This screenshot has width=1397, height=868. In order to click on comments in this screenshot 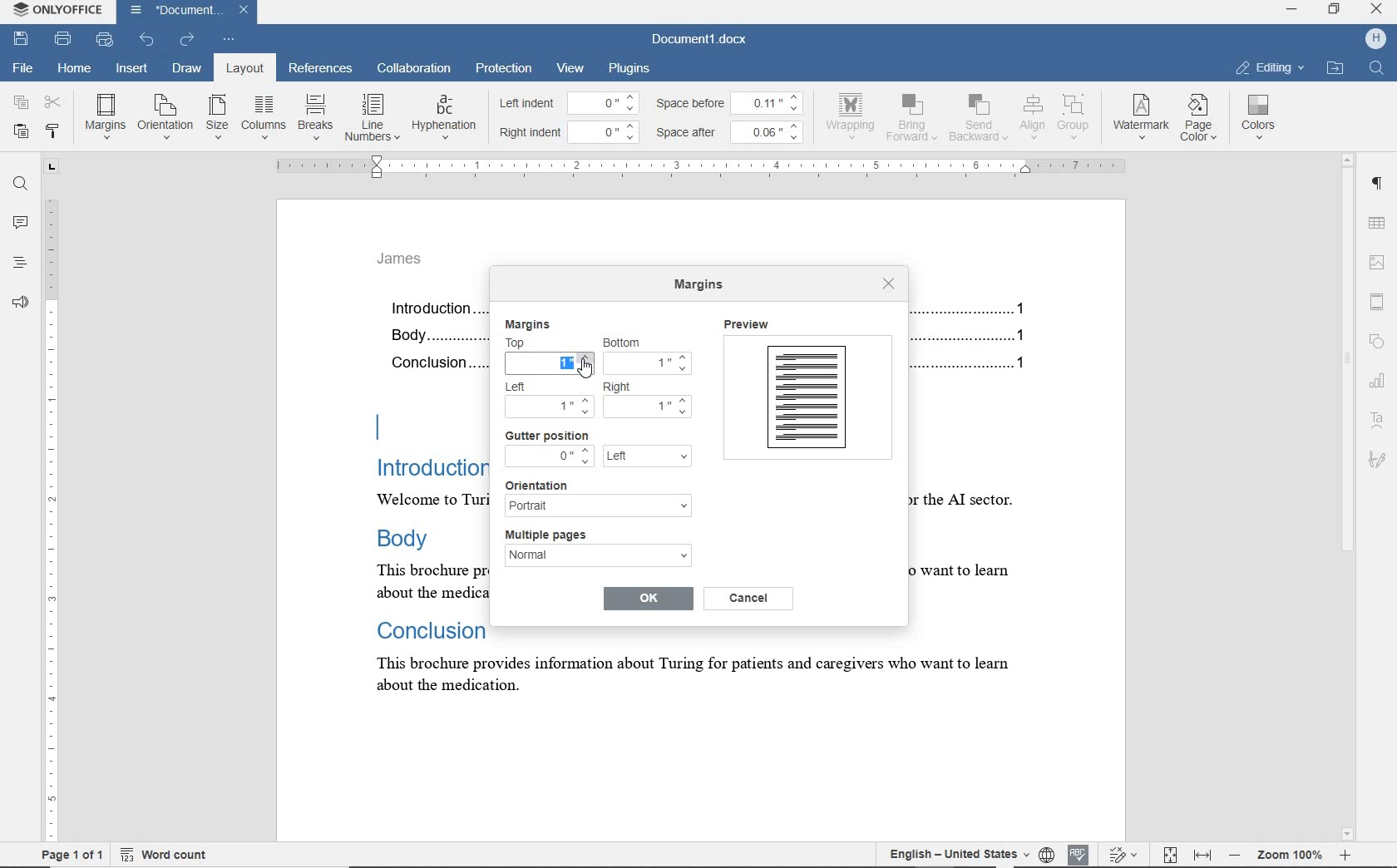, I will do `click(20, 223)`.